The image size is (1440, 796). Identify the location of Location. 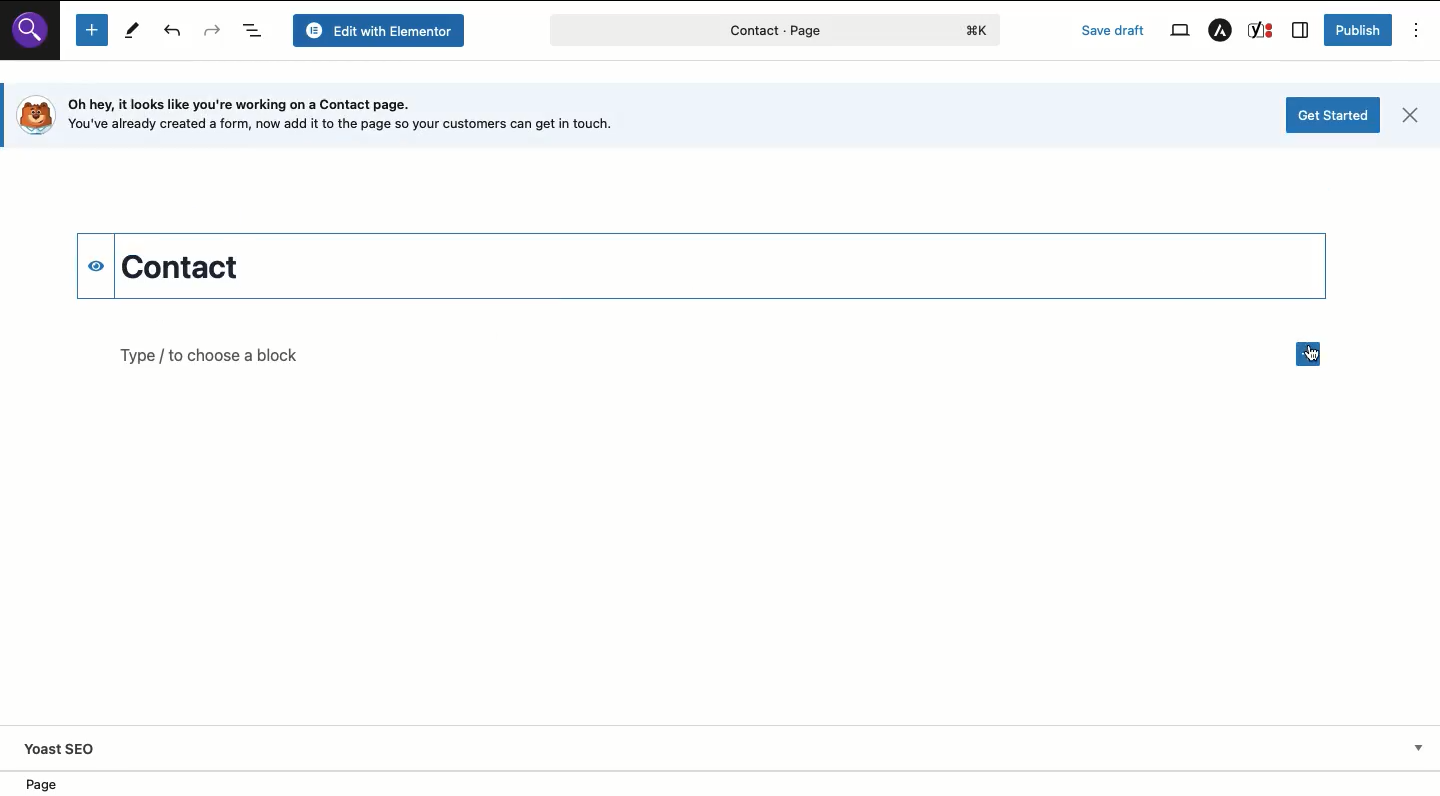
(727, 783).